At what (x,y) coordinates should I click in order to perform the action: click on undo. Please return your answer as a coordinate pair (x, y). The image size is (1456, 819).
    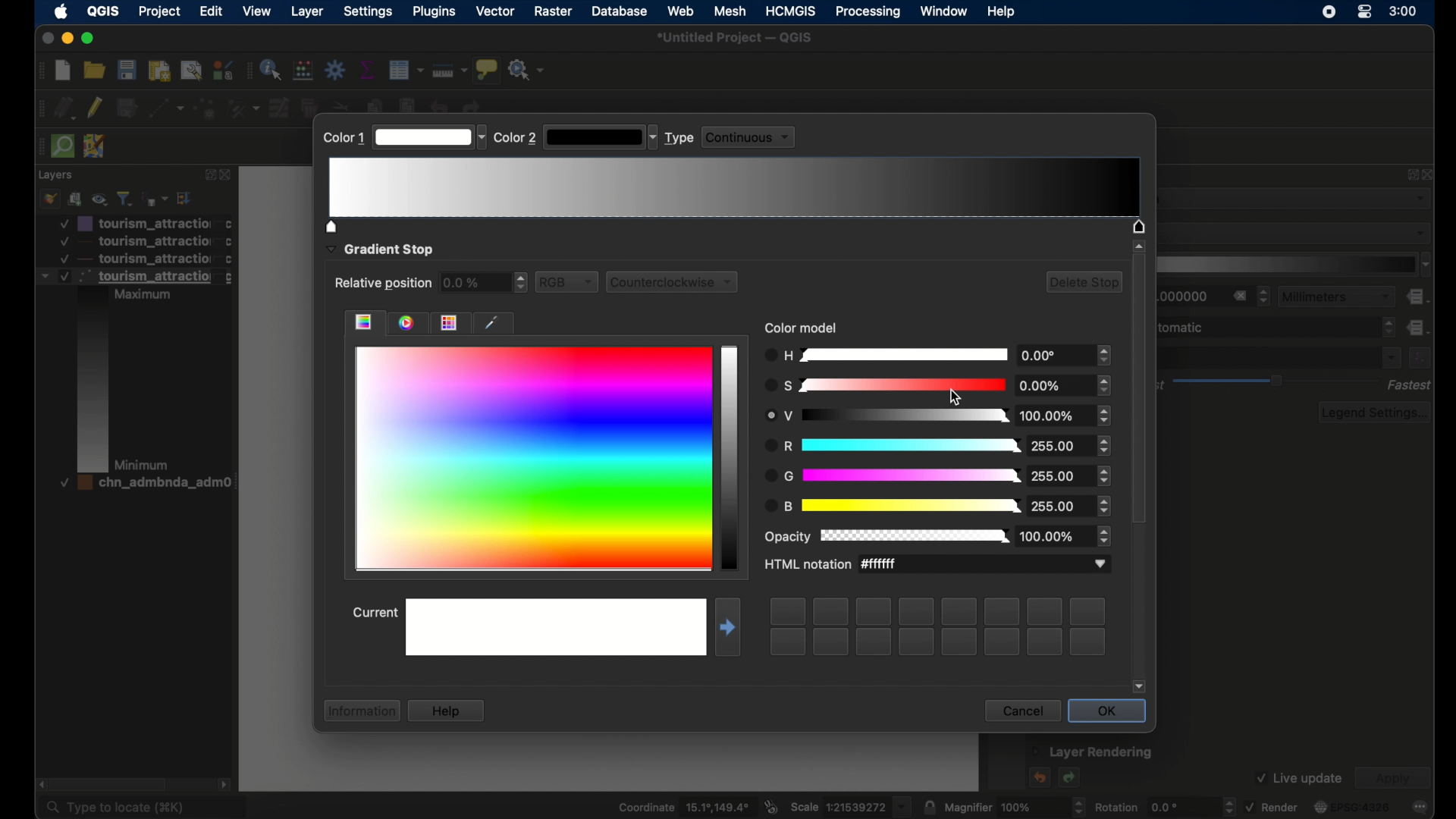
    Looking at the image, I should click on (1038, 777).